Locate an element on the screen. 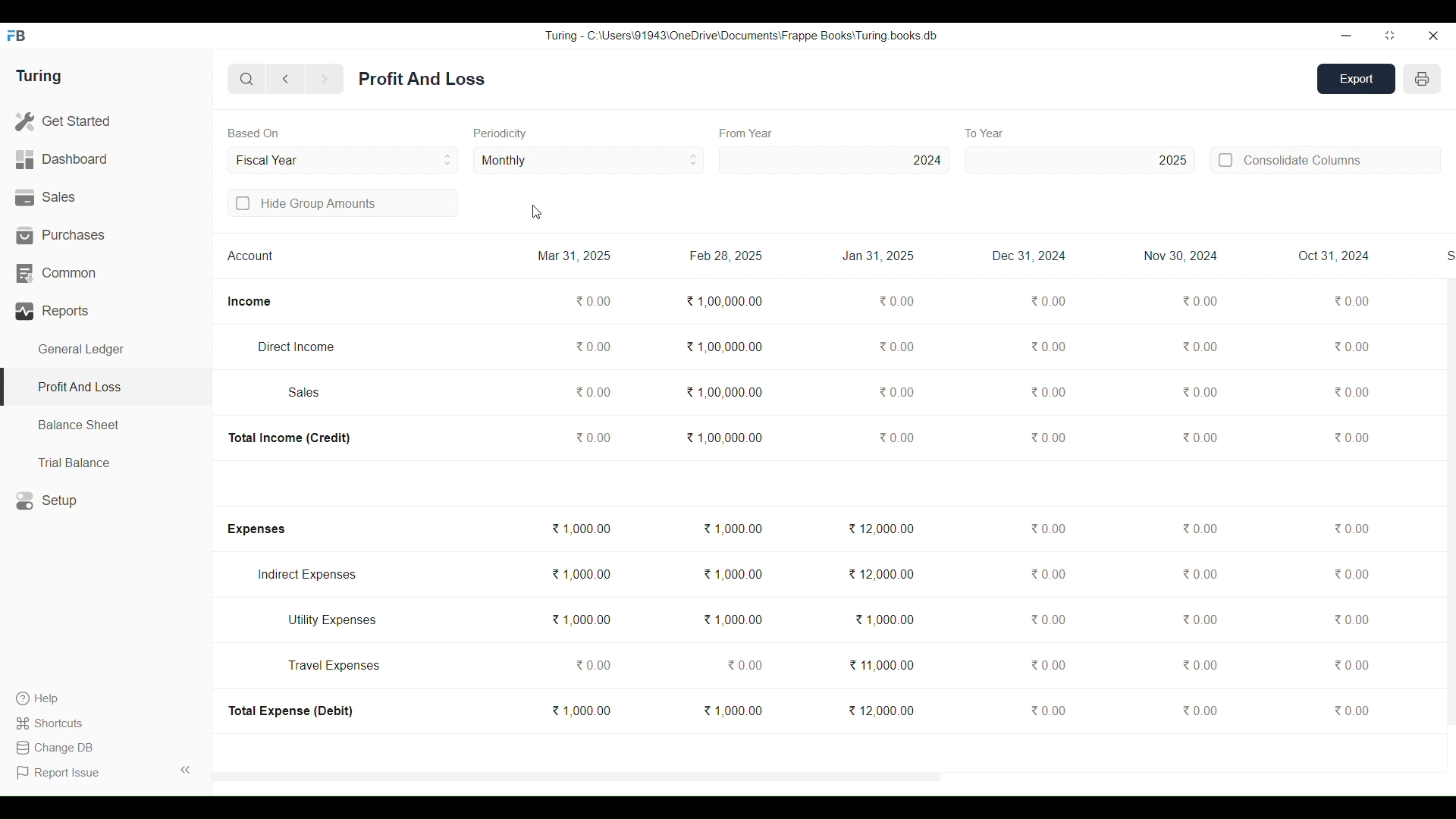 The width and height of the screenshot is (1456, 819). 0.00 is located at coordinates (1199, 620).